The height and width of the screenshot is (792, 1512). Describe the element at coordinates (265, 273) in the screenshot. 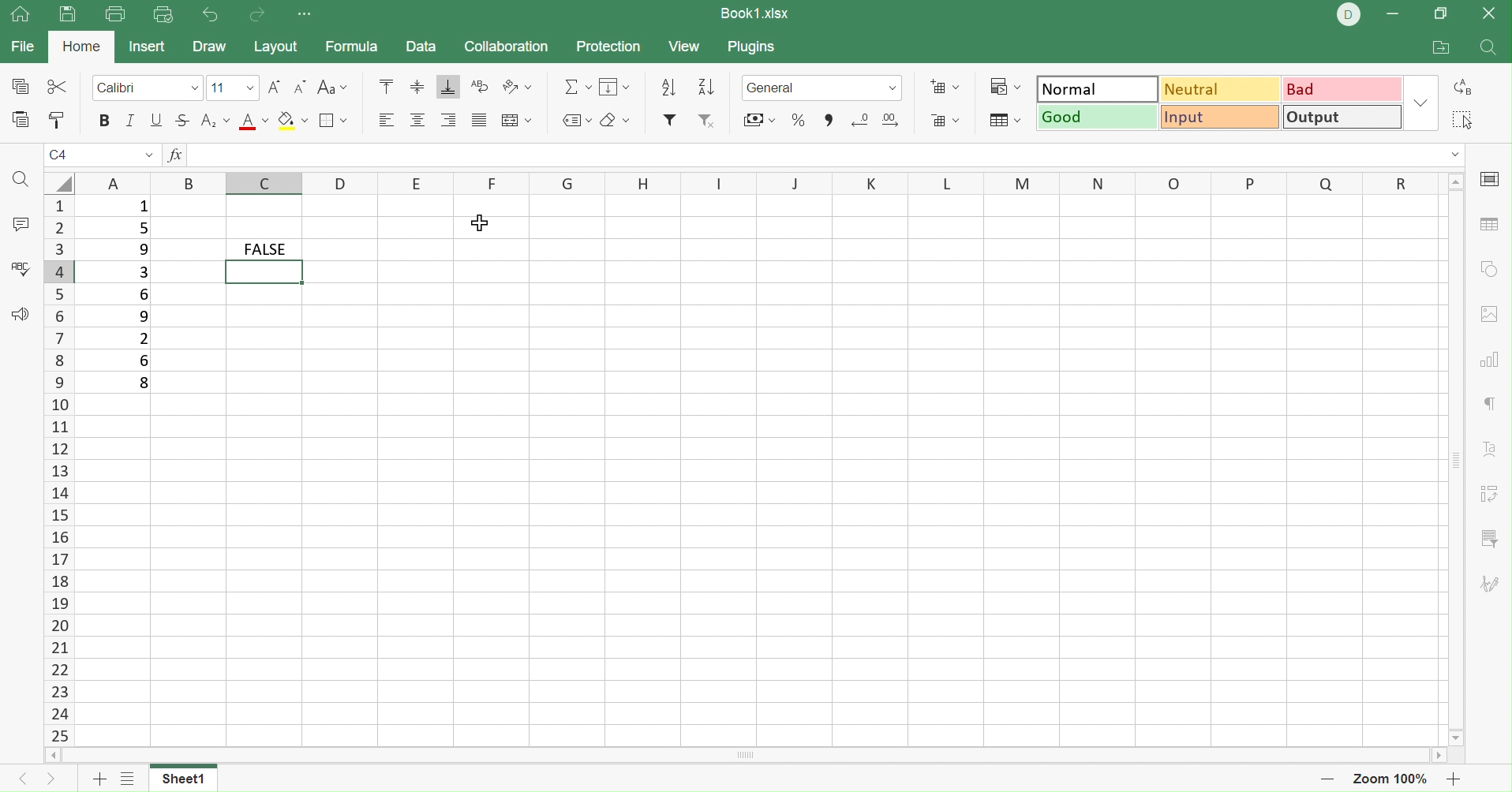

I see `box` at that location.